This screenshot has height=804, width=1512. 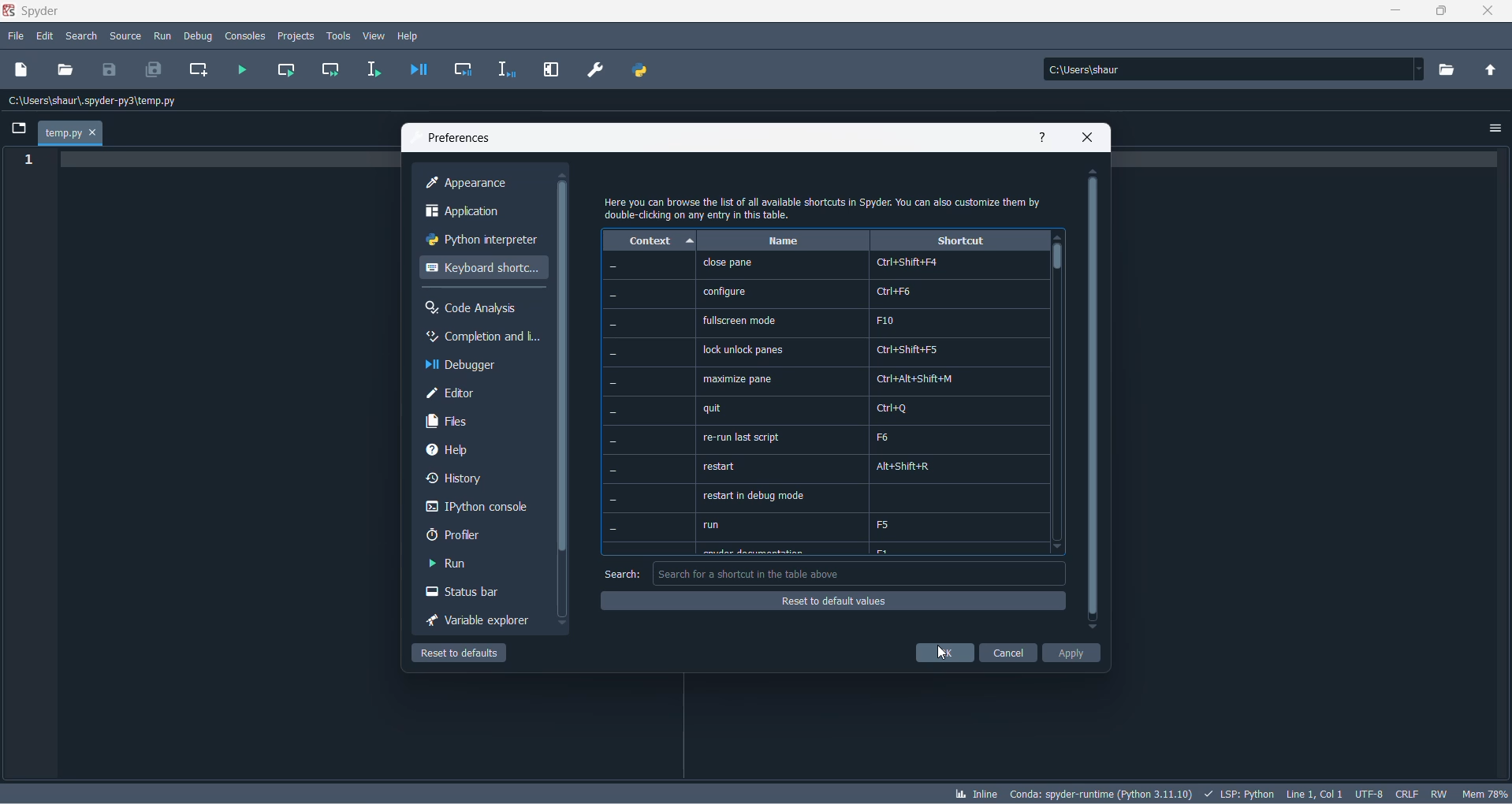 What do you see at coordinates (483, 366) in the screenshot?
I see `debugger` at bounding box center [483, 366].